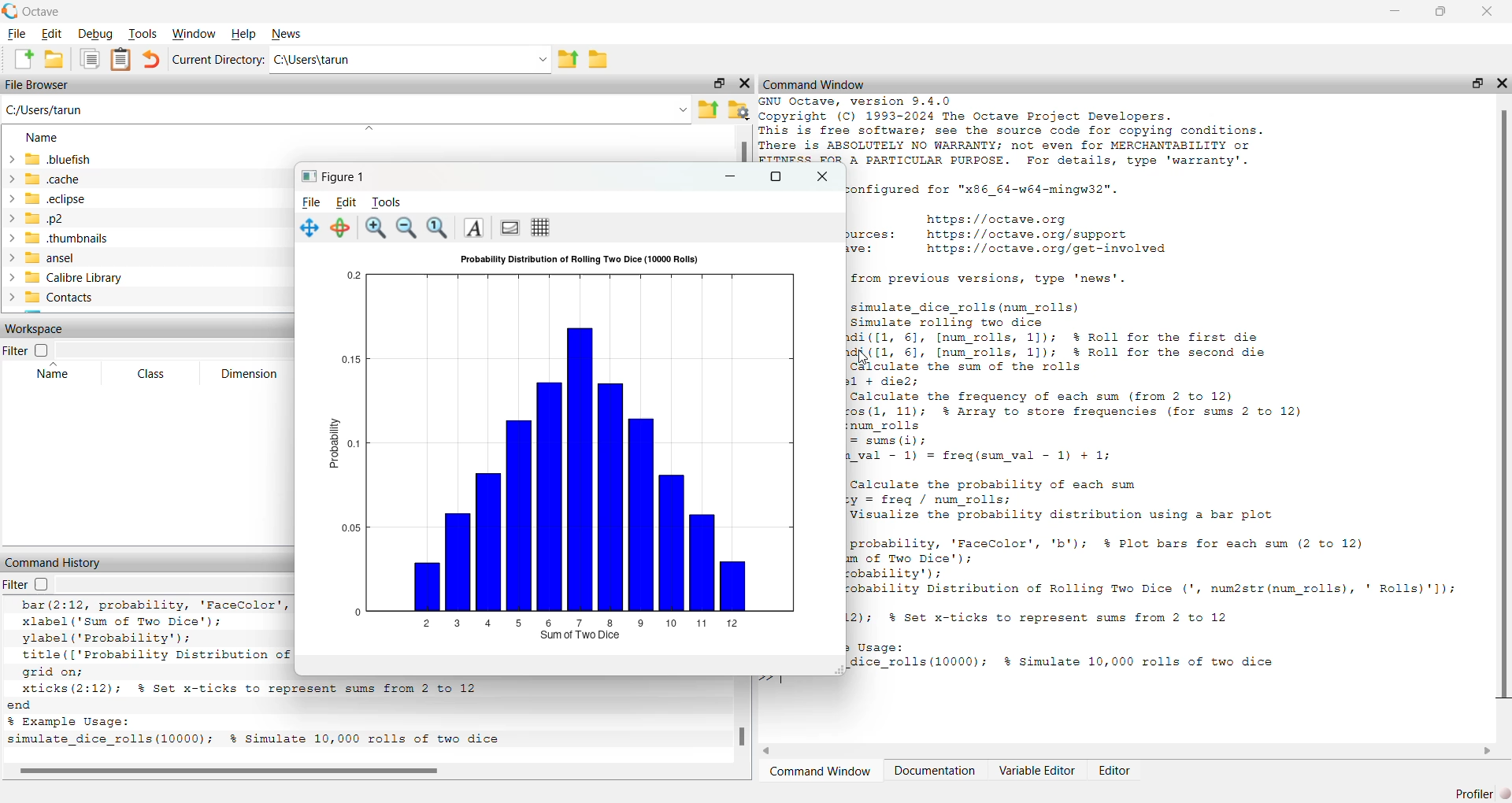 This screenshot has height=803, width=1512. What do you see at coordinates (213, 62) in the screenshot?
I see `Current Directory` at bounding box center [213, 62].